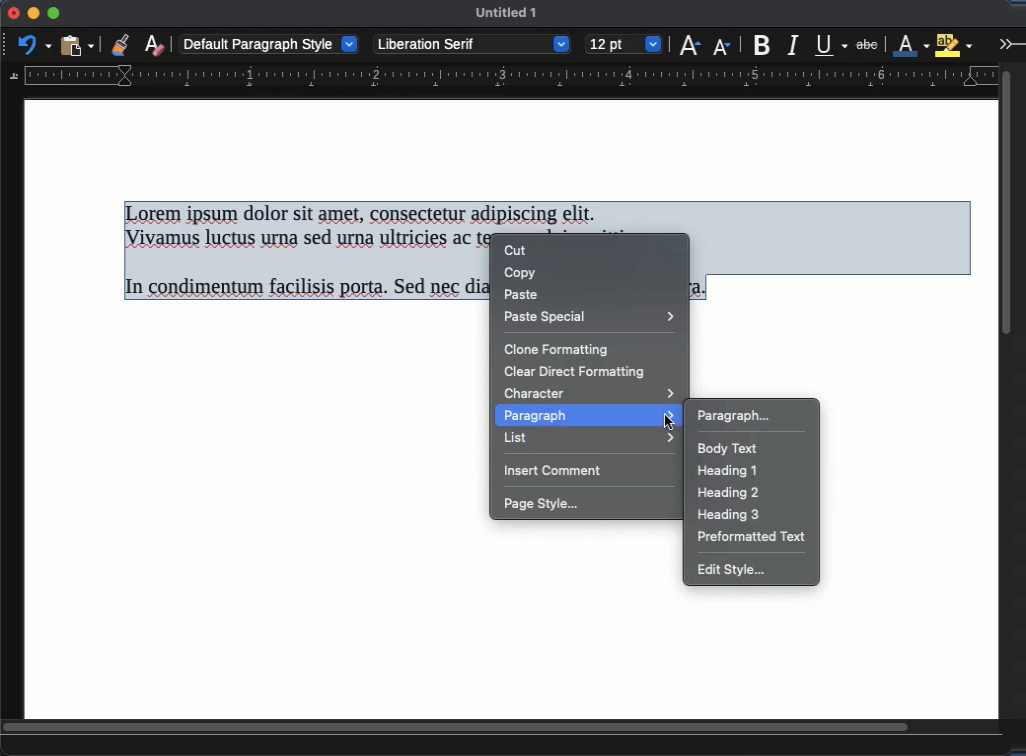  What do you see at coordinates (1009, 43) in the screenshot?
I see `expand` at bounding box center [1009, 43].